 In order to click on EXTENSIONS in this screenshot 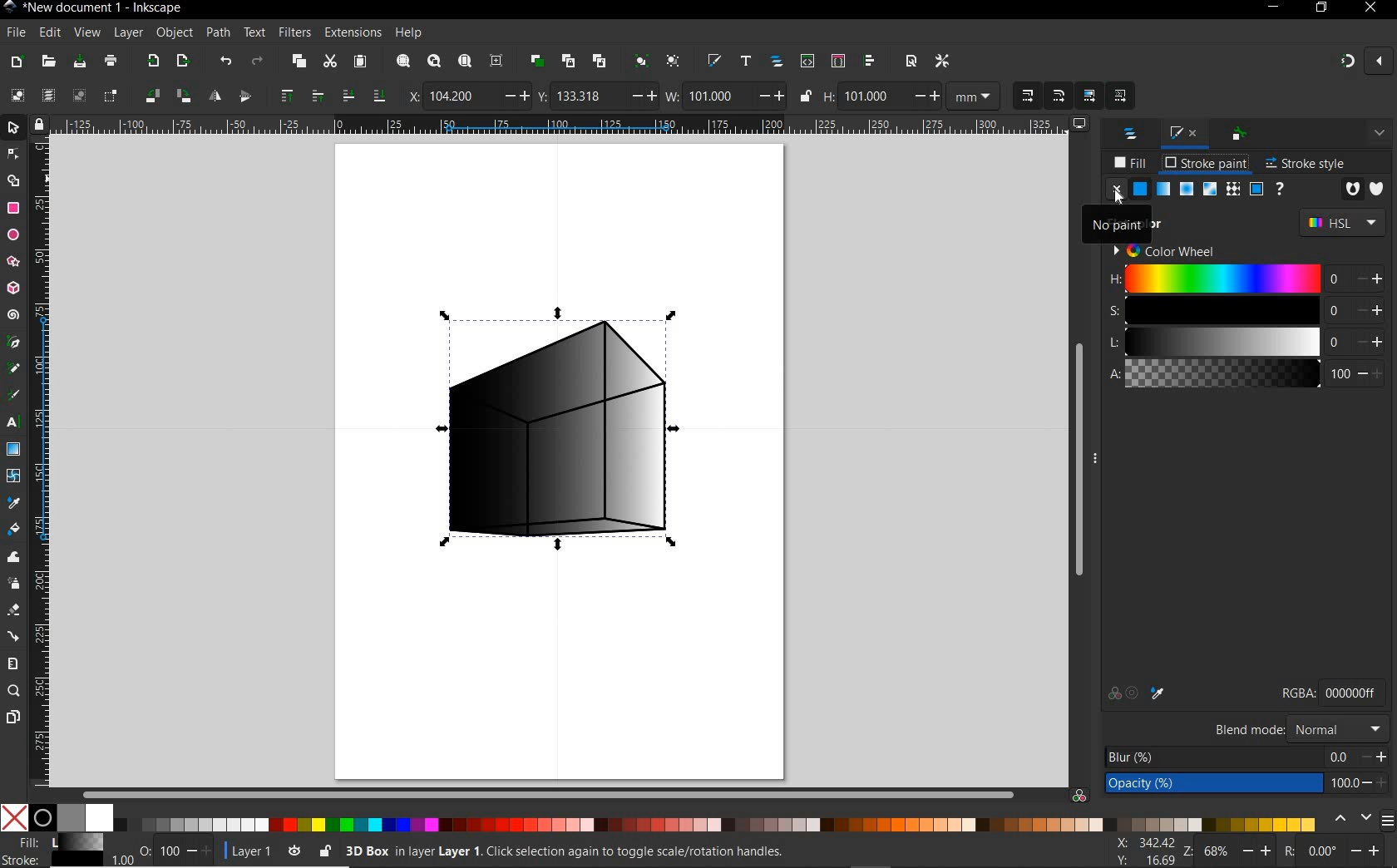, I will do `click(351, 33)`.